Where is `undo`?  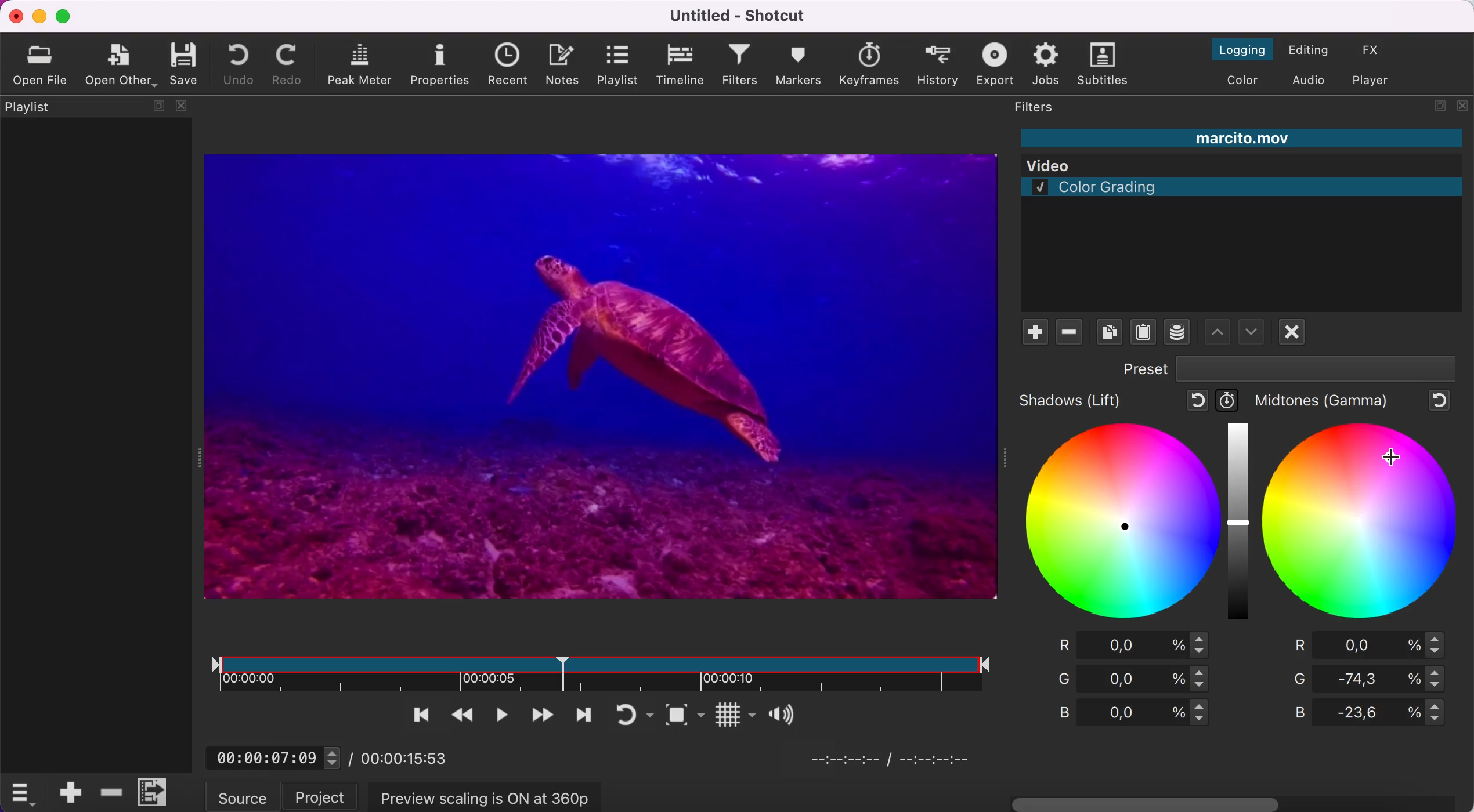
undo is located at coordinates (237, 64).